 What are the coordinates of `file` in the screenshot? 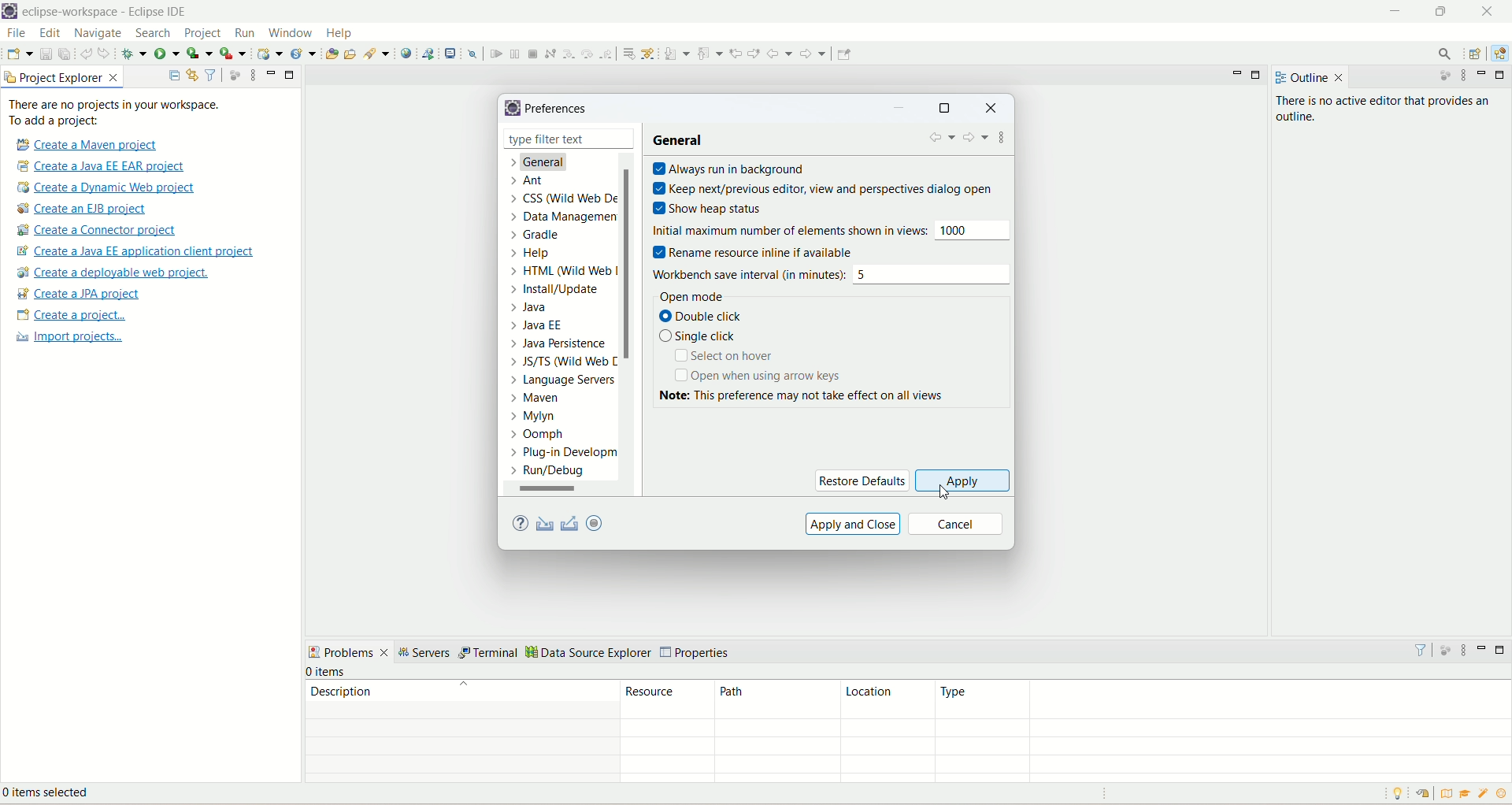 It's located at (16, 32).